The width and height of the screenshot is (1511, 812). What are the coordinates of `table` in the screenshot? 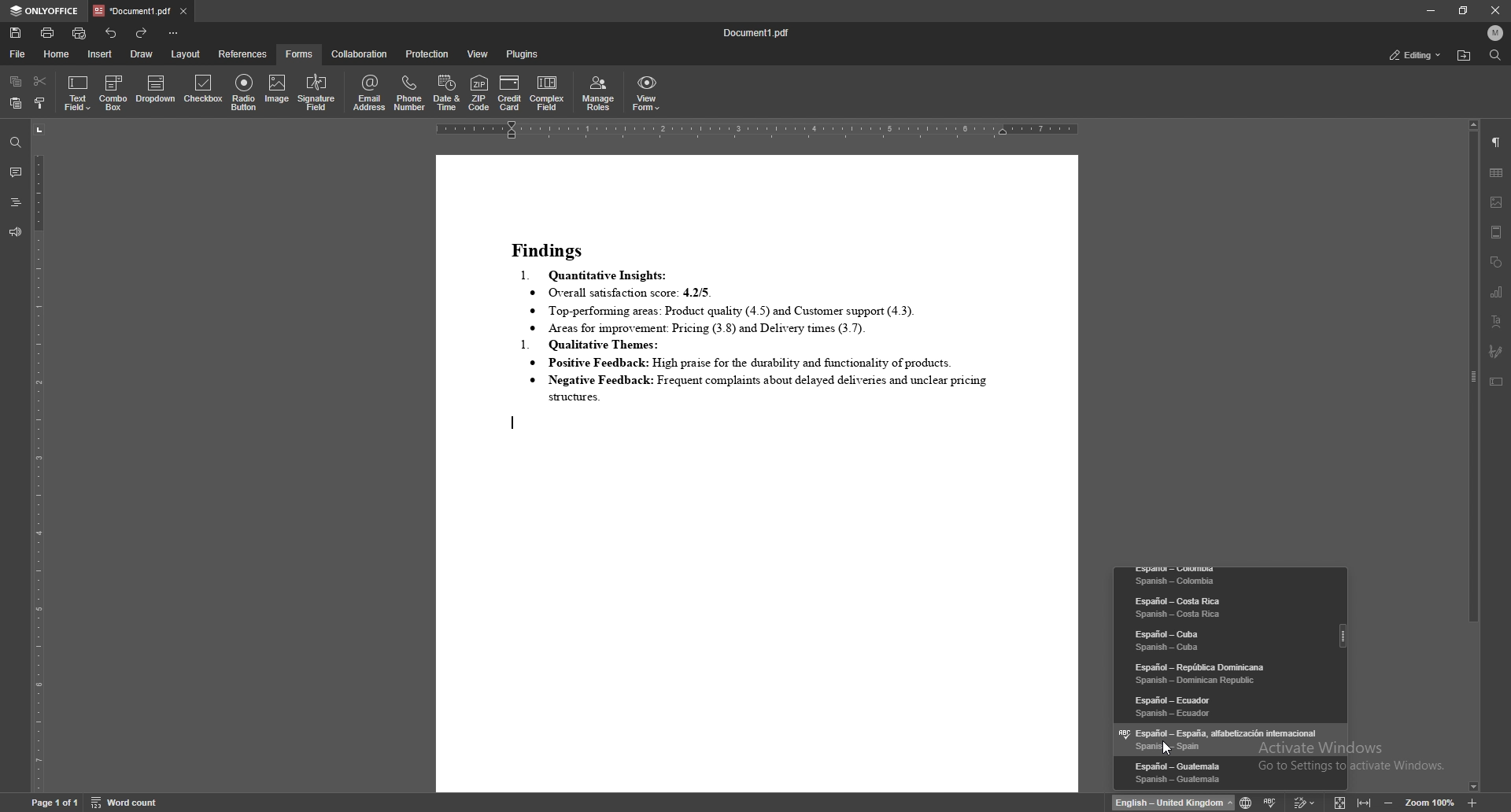 It's located at (1497, 172).